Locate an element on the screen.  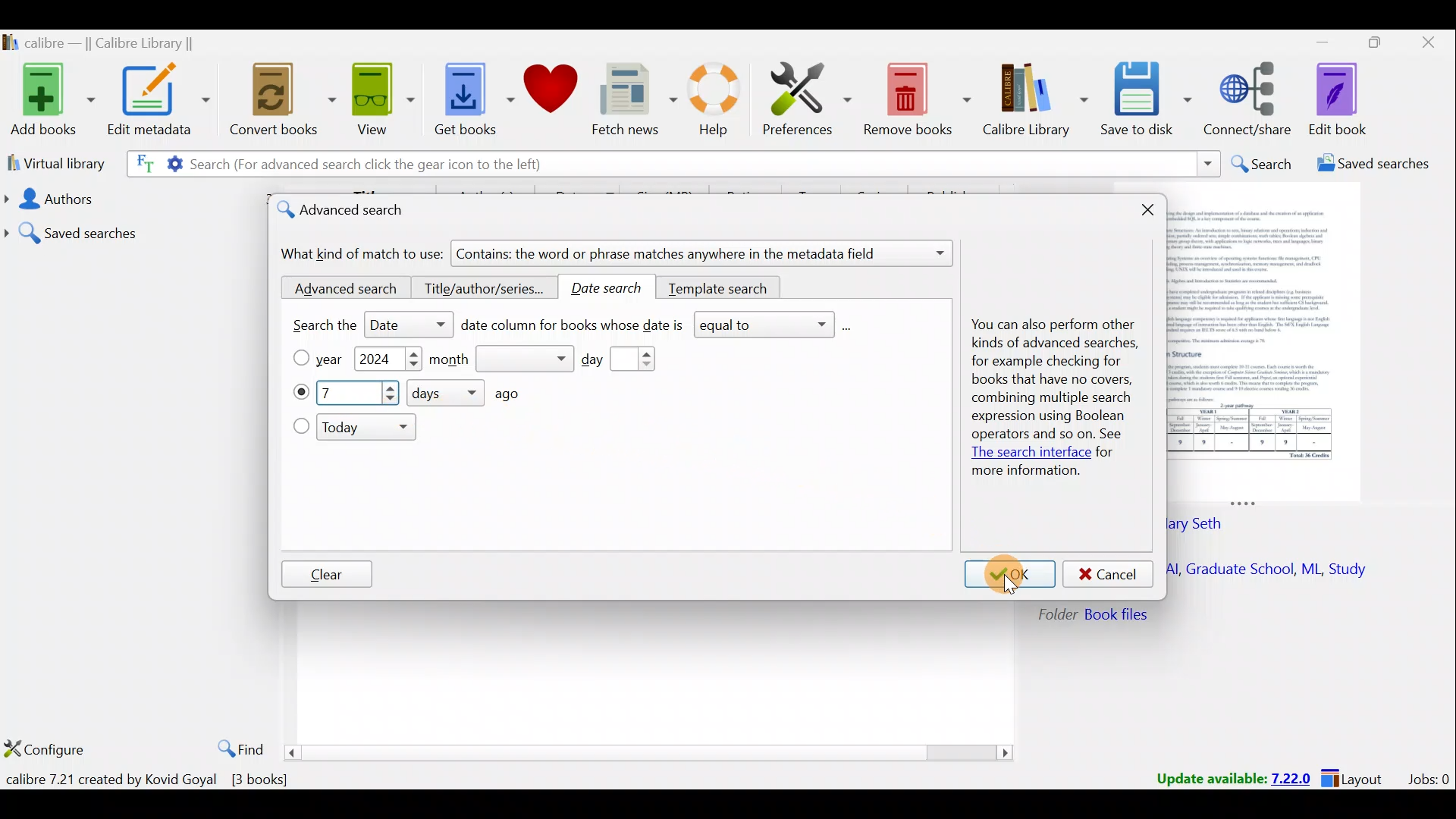
Cancel is located at coordinates (1109, 575).